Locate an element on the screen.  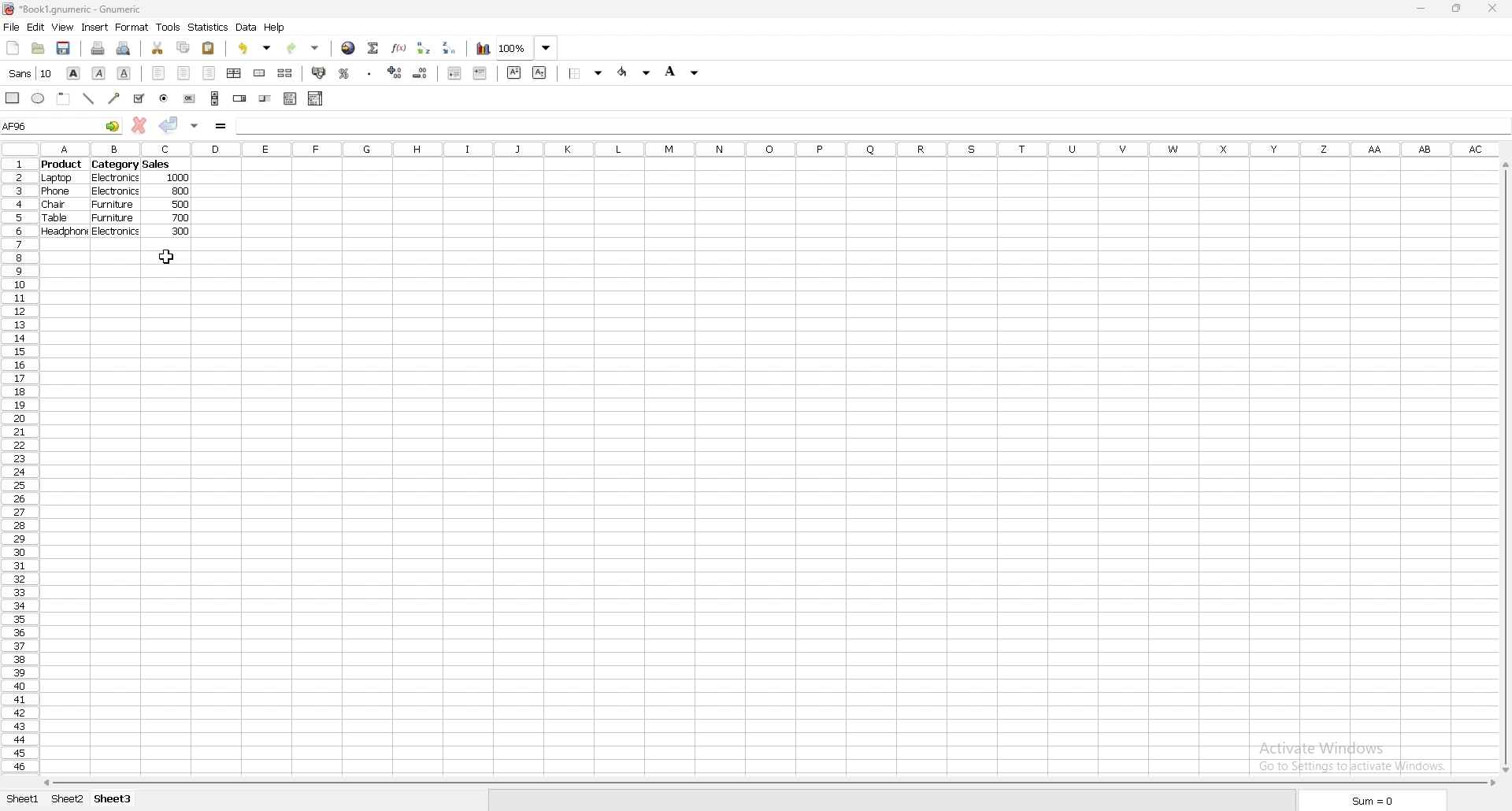
sheet 3 is located at coordinates (113, 800).